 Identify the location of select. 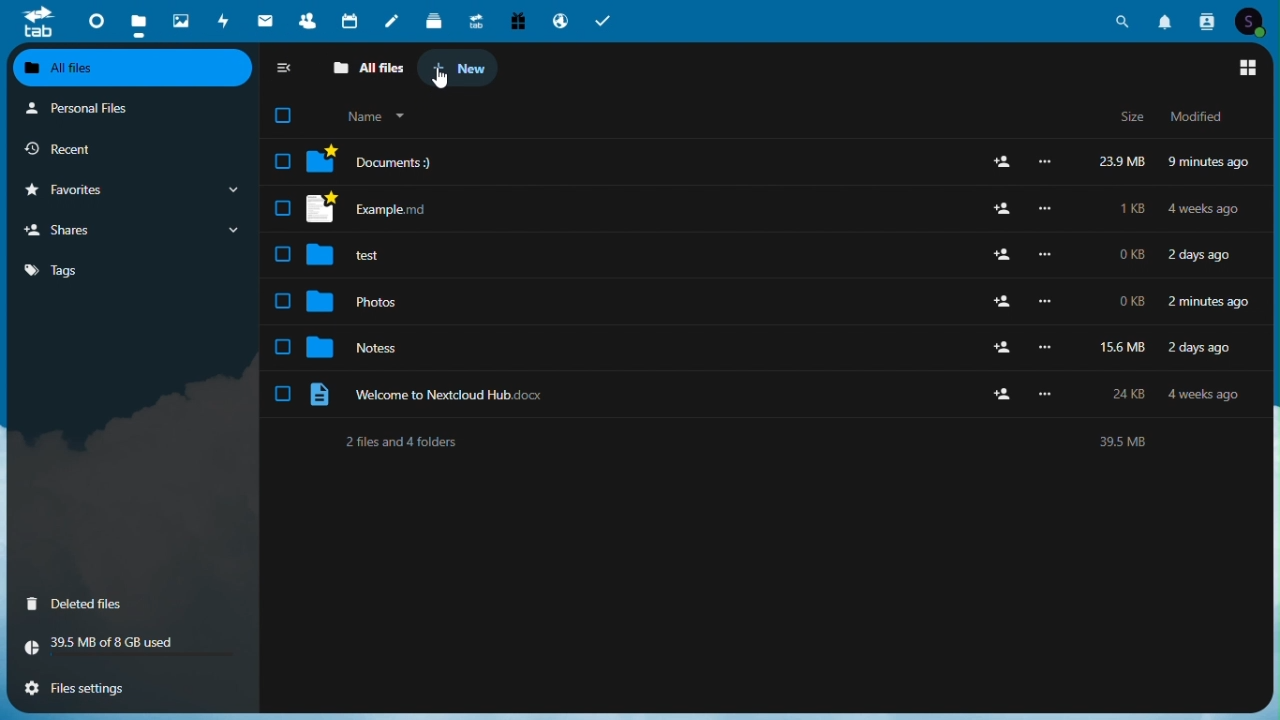
(281, 394).